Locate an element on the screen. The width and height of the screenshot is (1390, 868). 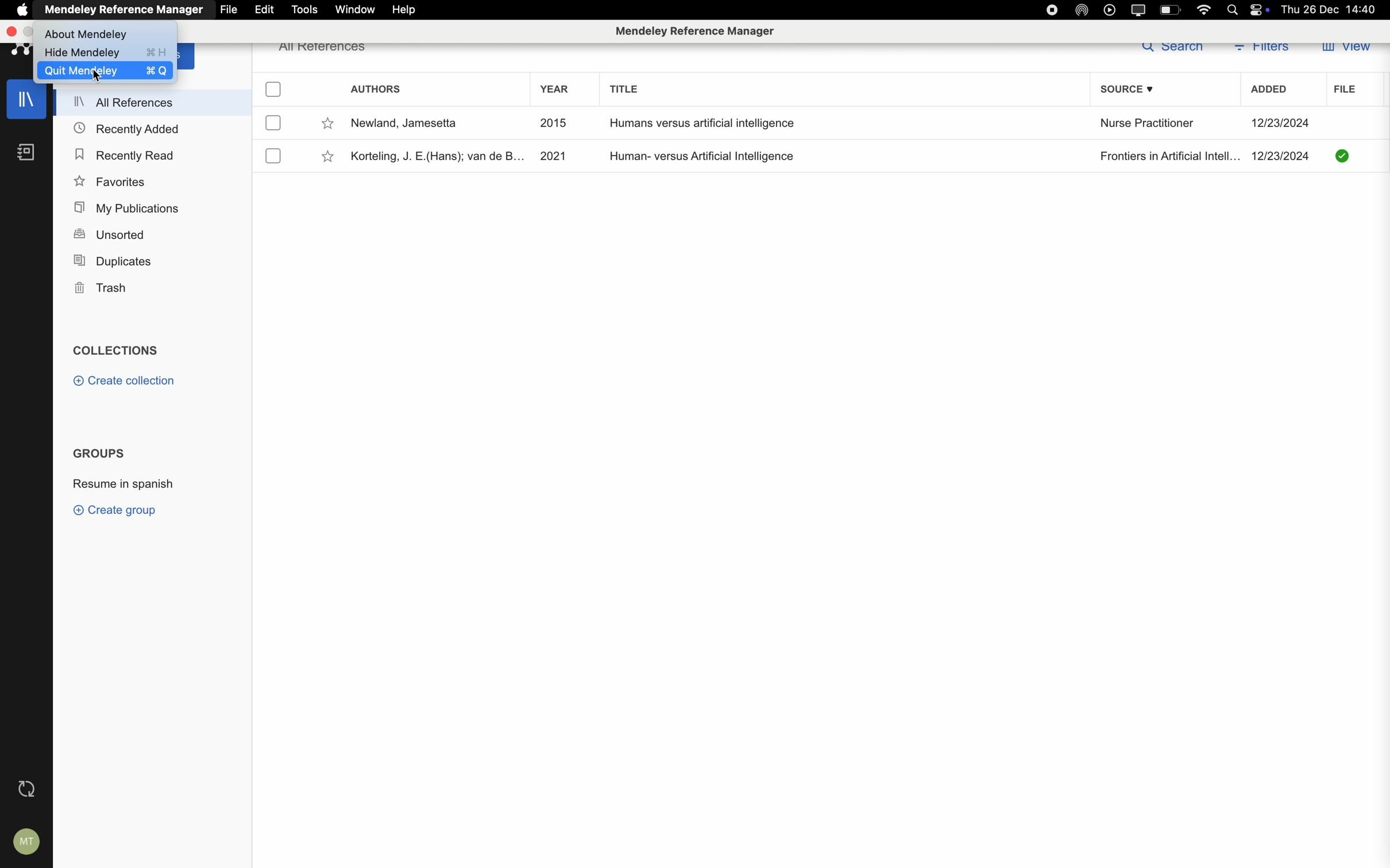
Apple icon is located at coordinates (18, 10).